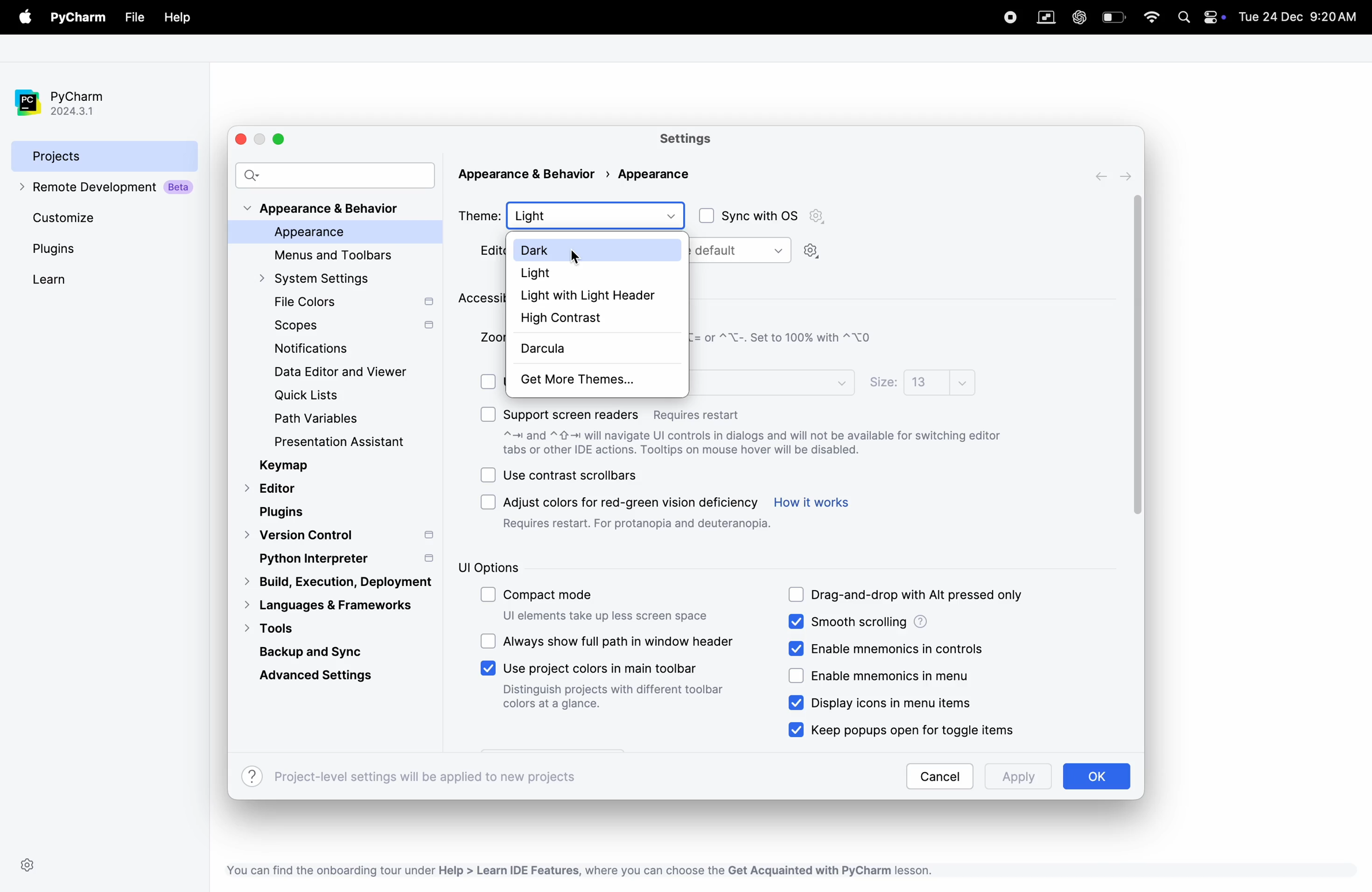 This screenshot has width=1372, height=892. I want to click on check box, so click(704, 216).